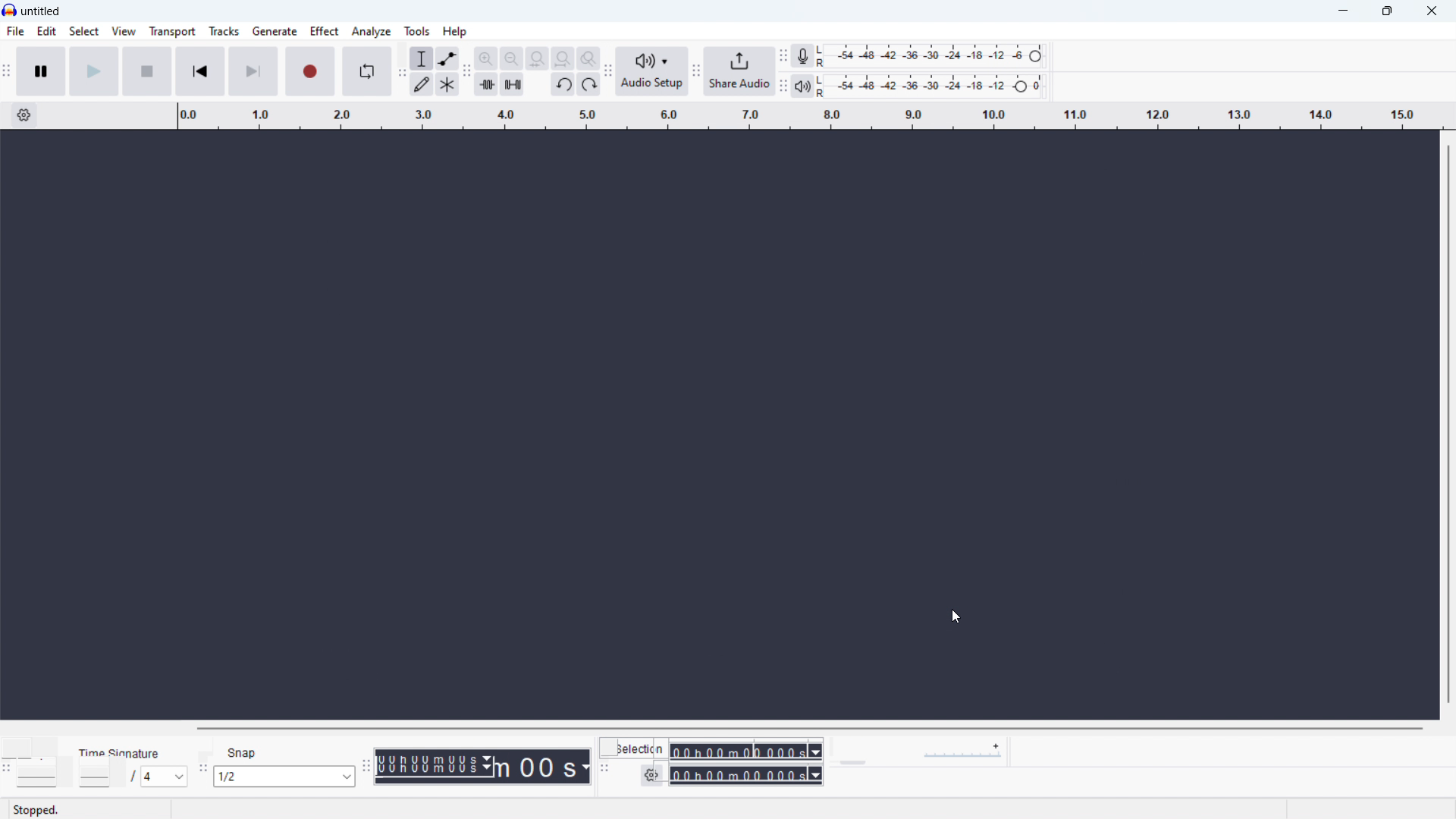  What do you see at coordinates (487, 85) in the screenshot?
I see `trim audio outside selection` at bounding box center [487, 85].